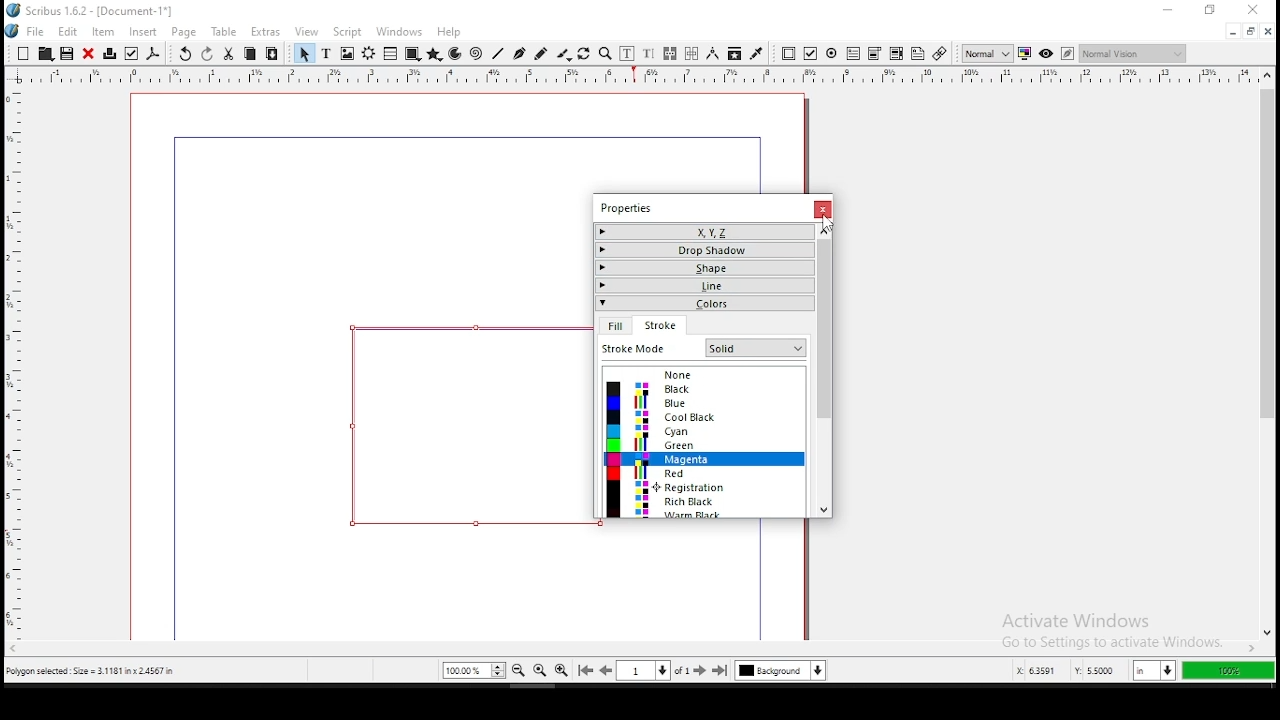 This screenshot has height=720, width=1280. I want to click on measurement, so click(713, 54).